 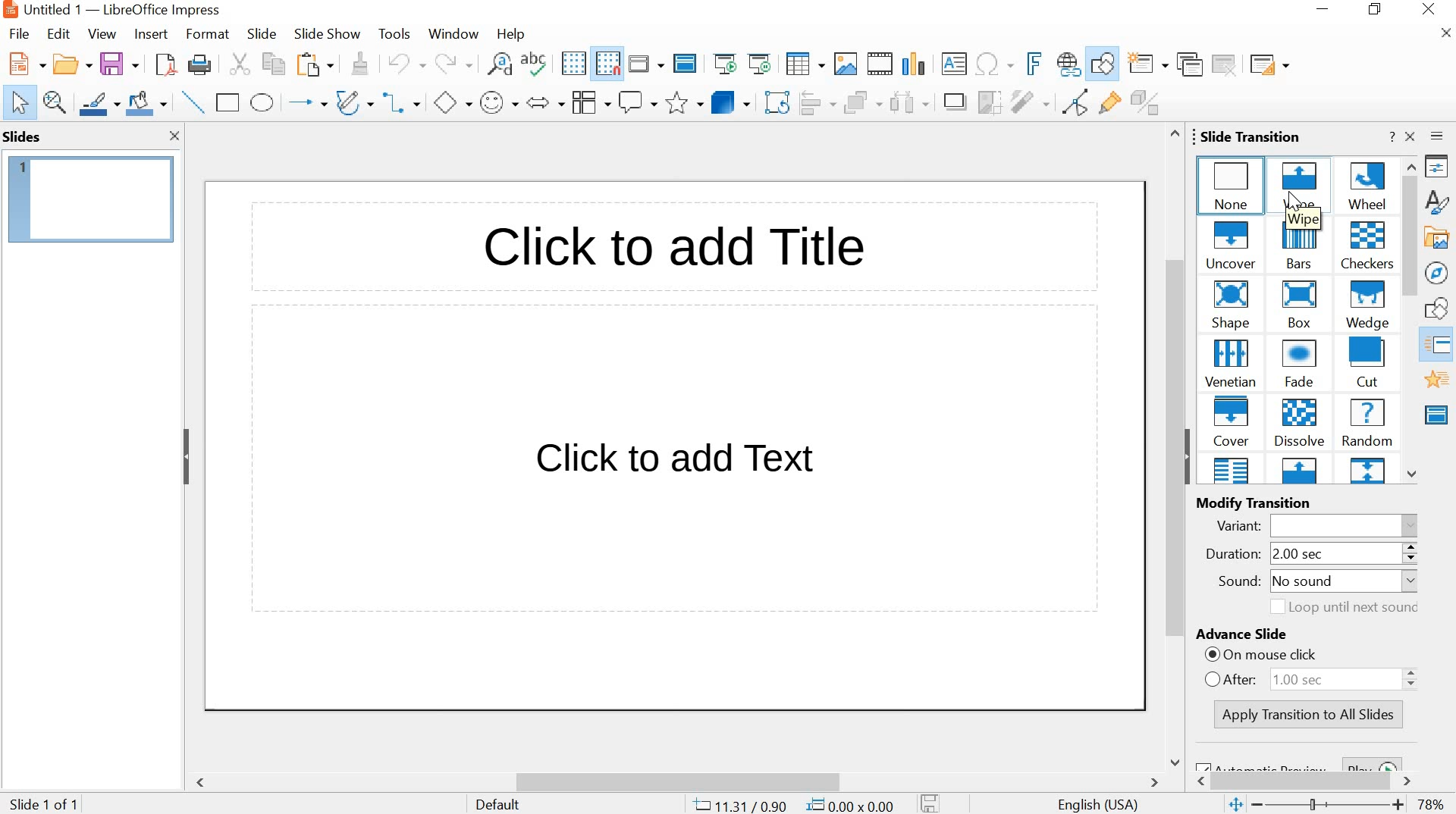 What do you see at coordinates (1325, 9) in the screenshot?
I see `MINIMIZE` at bounding box center [1325, 9].